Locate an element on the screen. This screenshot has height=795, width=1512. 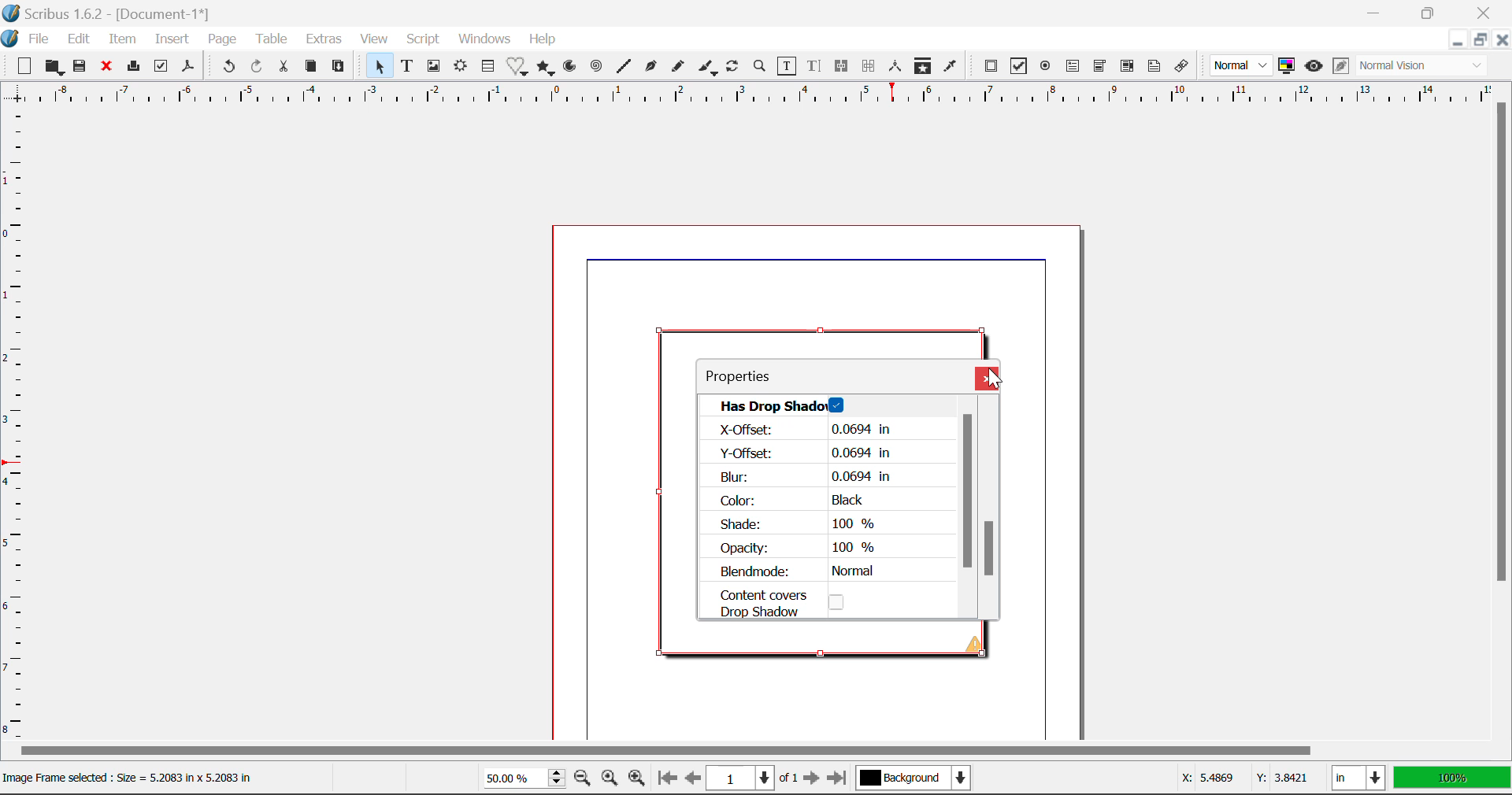
Y: 3.8421 is located at coordinates (1282, 779).